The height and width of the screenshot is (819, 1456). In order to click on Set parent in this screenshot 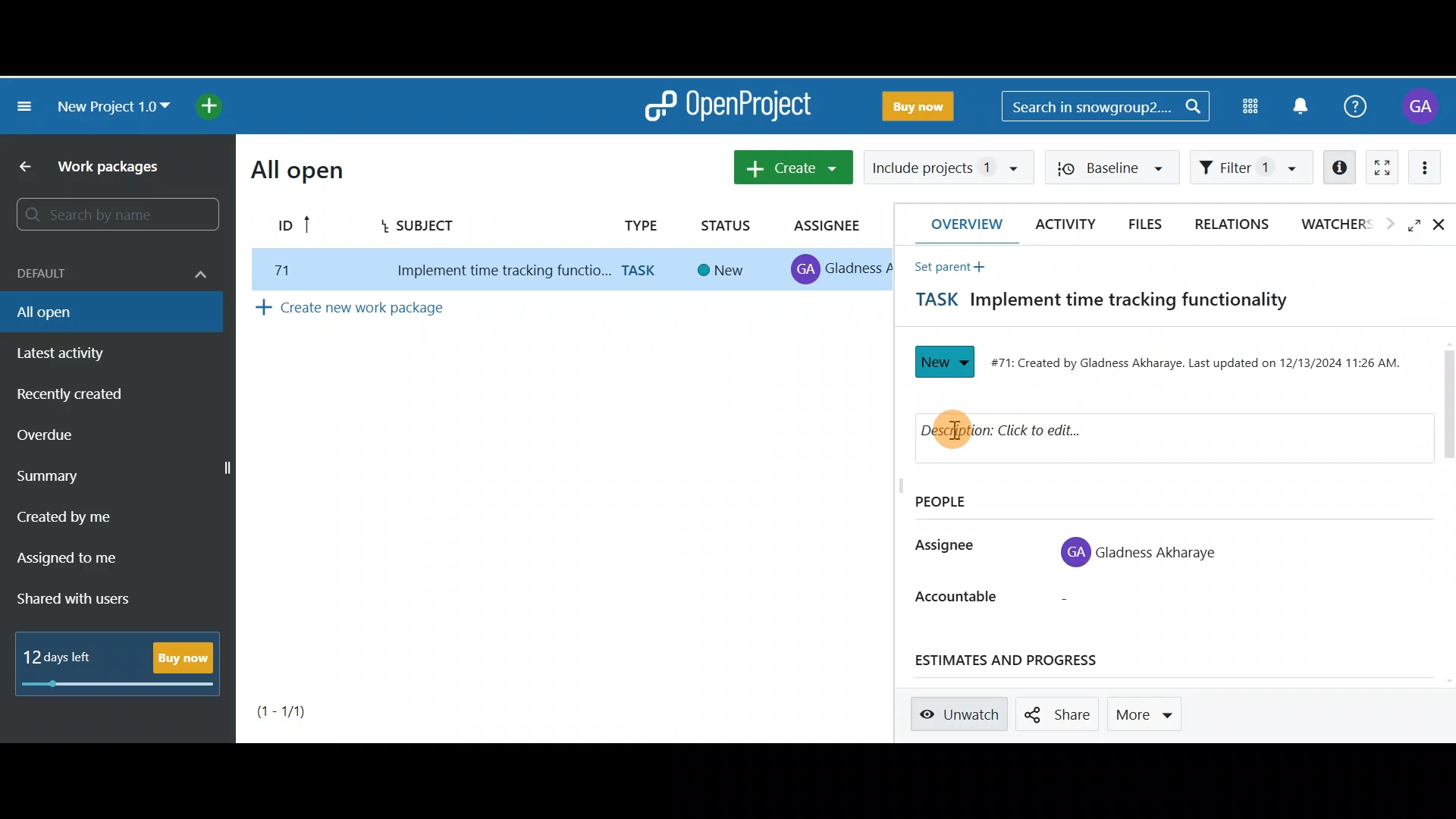, I will do `click(945, 266)`.